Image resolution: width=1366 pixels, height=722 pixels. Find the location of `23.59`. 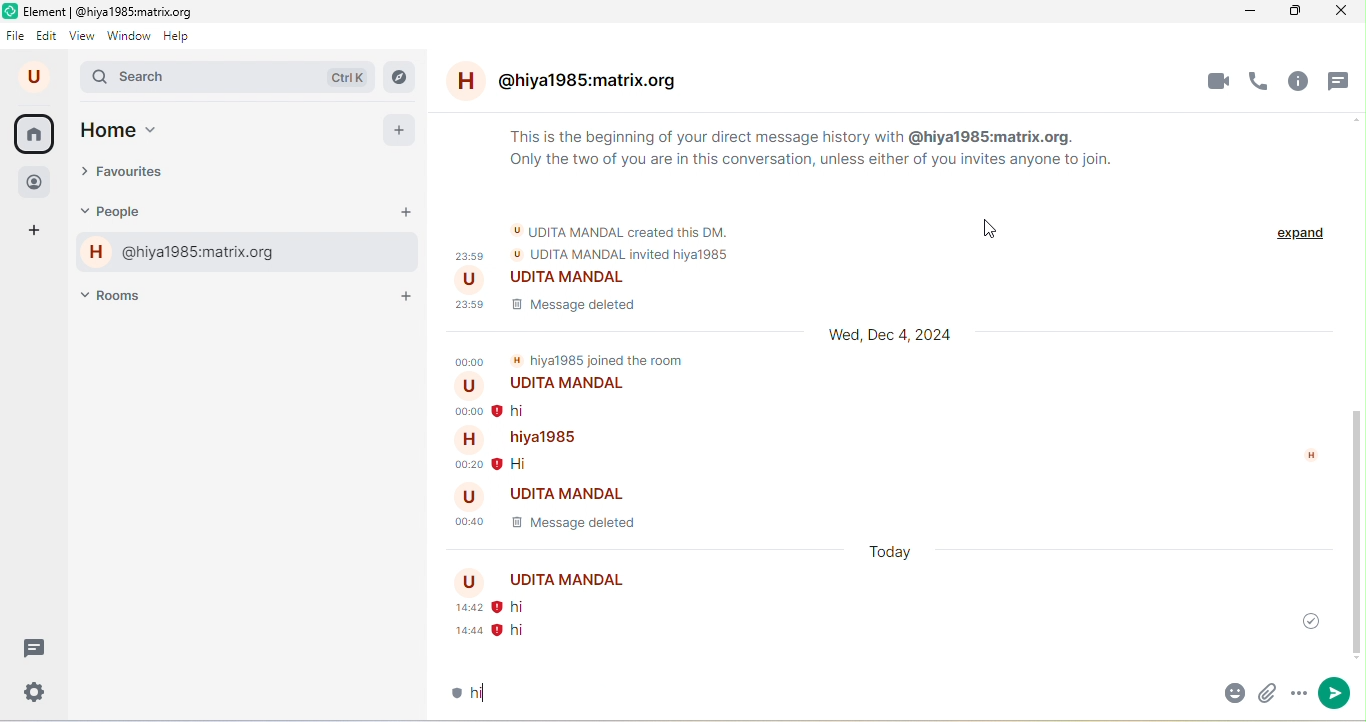

23.59 is located at coordinates (473, 308).